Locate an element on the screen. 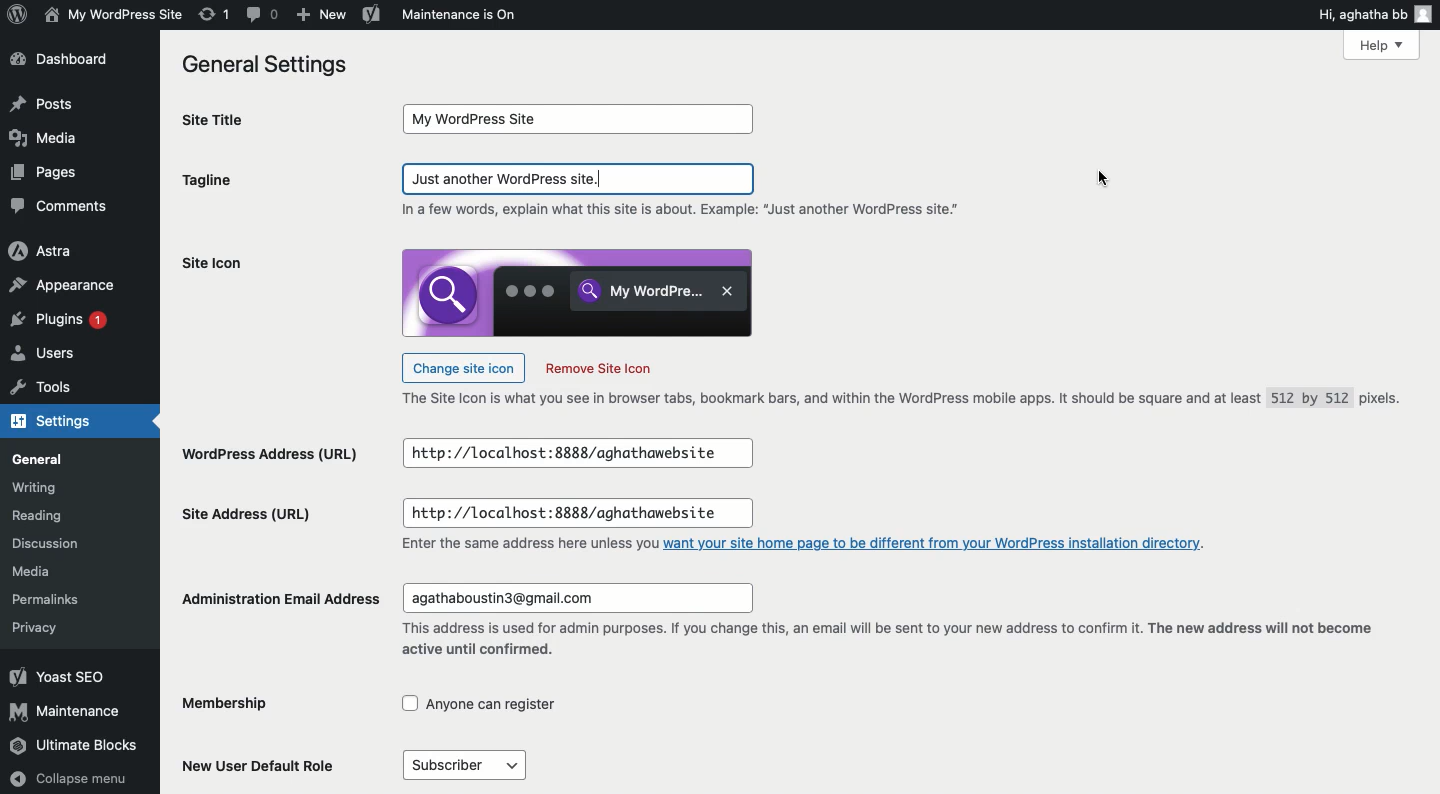  Yoast is located at coordinates (57, 676).